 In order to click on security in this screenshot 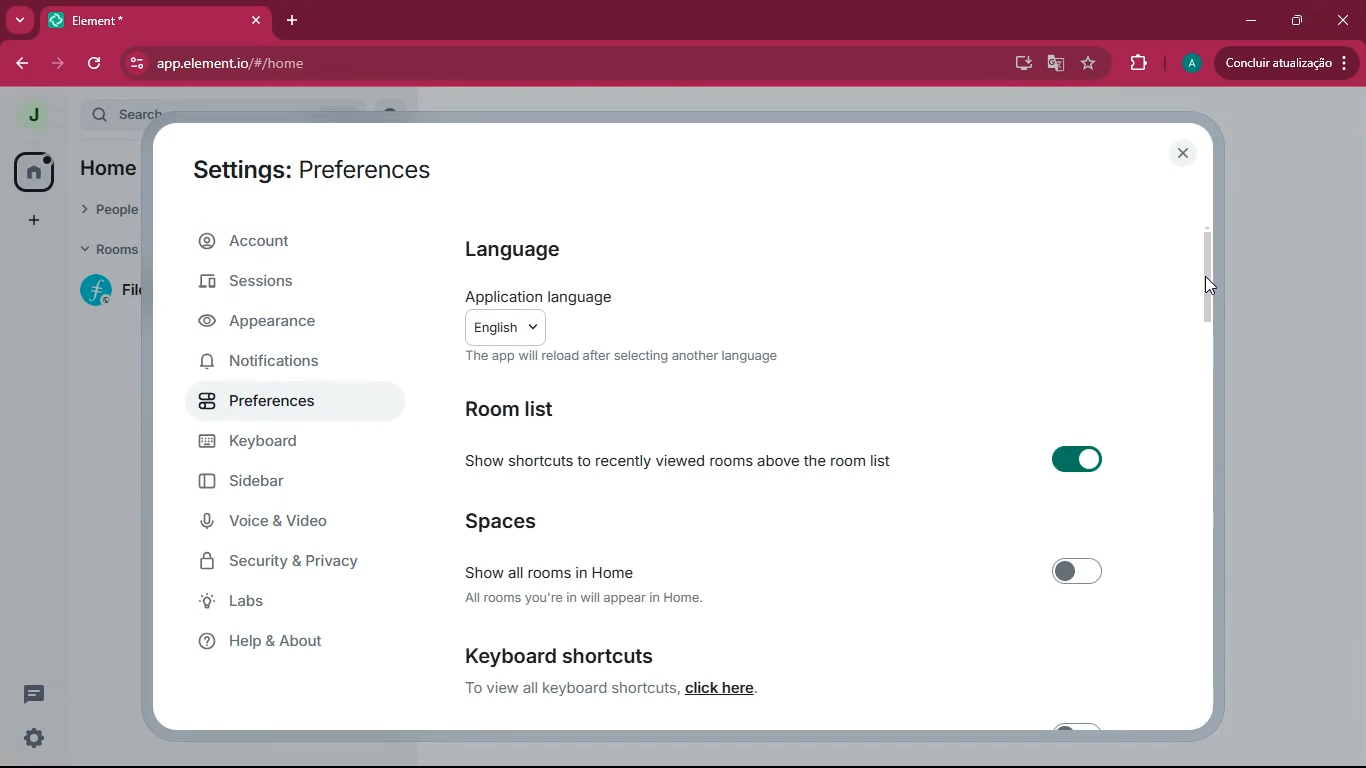, I will do `click(292, 563)`.